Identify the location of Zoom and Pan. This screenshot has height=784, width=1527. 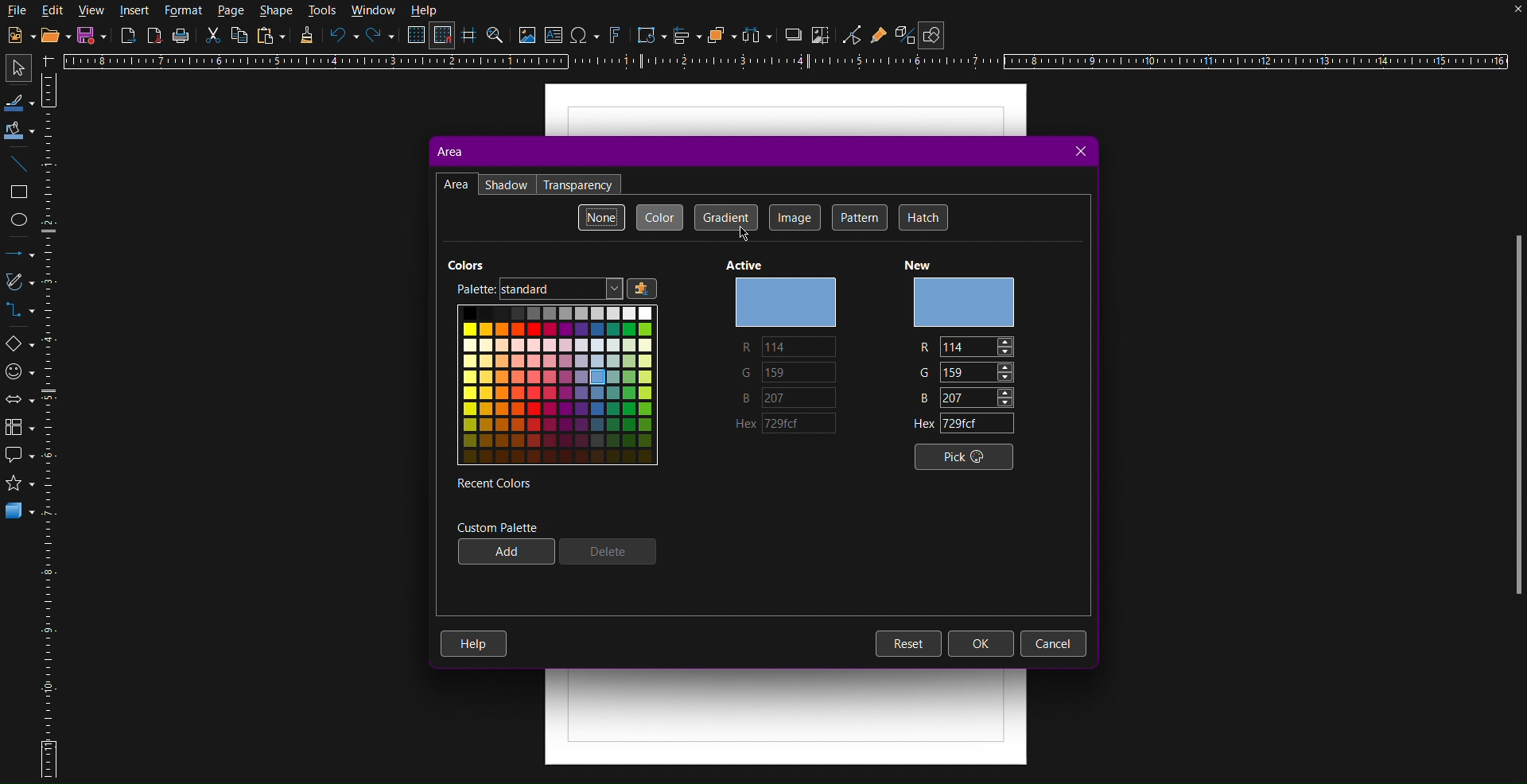
(497, 37).